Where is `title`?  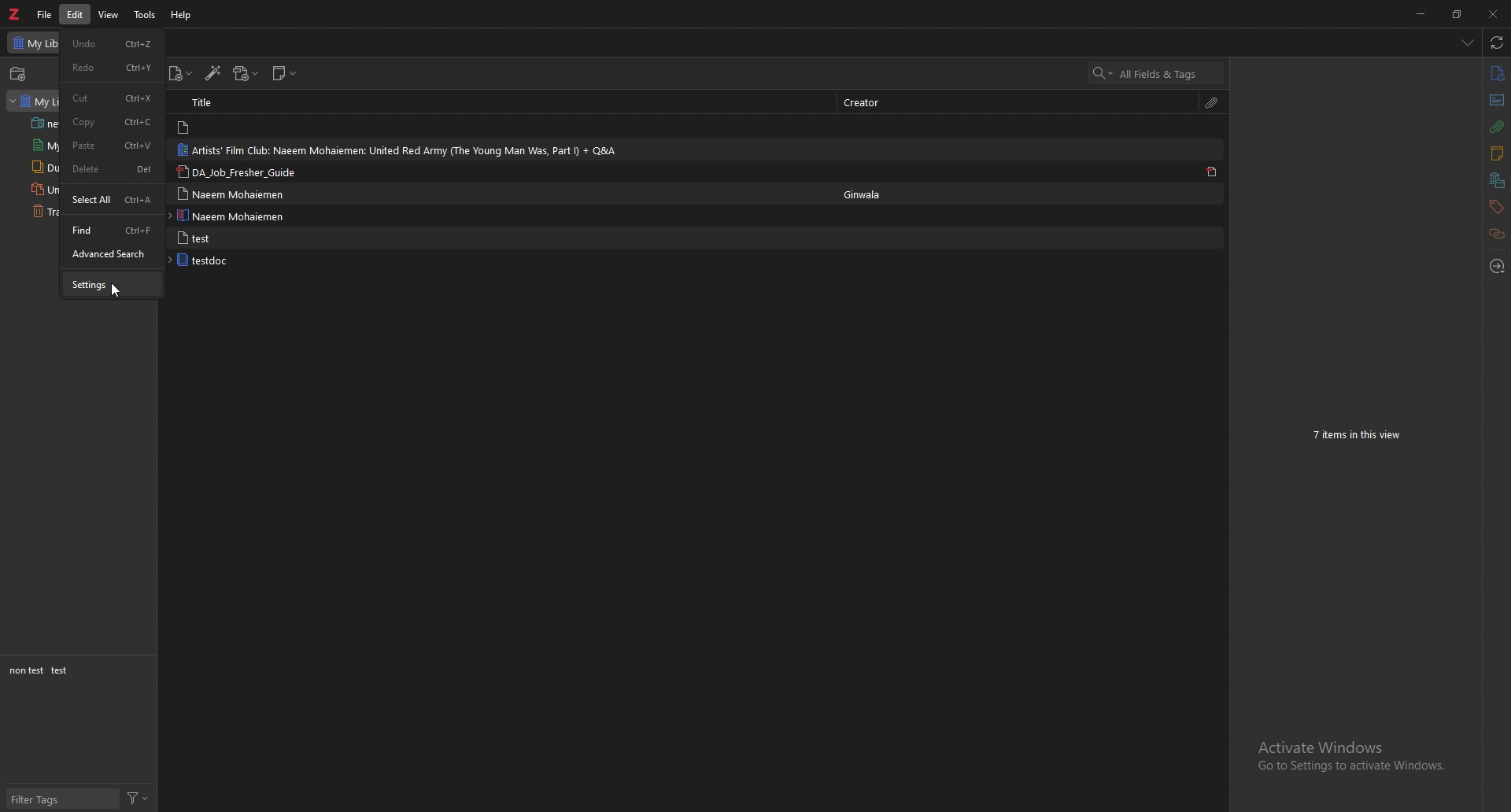 title is located at coordinates (218, 103).